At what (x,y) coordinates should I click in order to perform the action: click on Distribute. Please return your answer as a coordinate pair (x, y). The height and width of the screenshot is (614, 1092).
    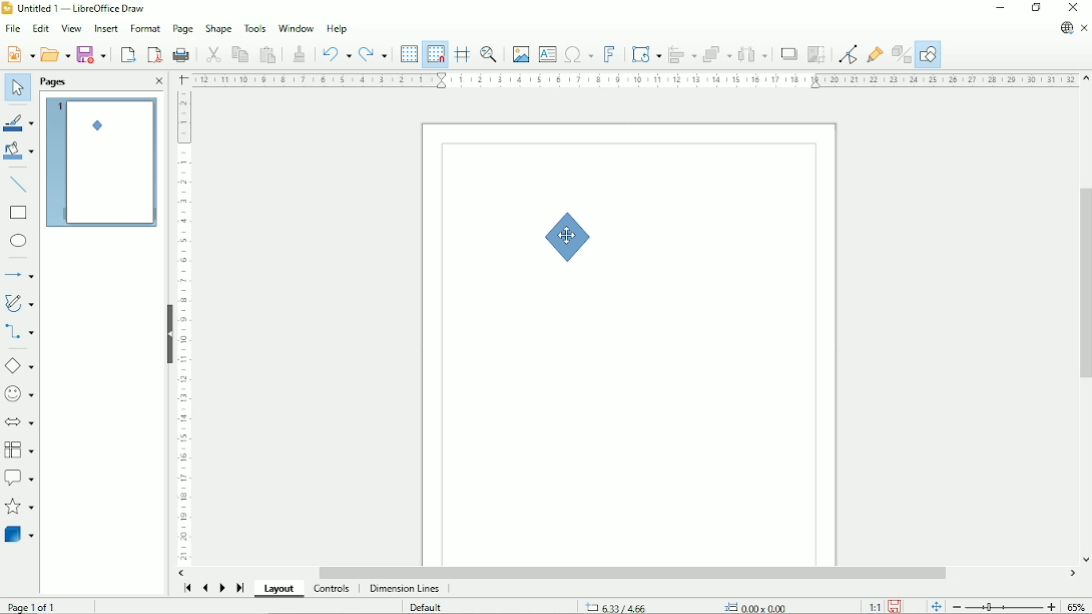
    Looking at the image, I should click on (753, 53).